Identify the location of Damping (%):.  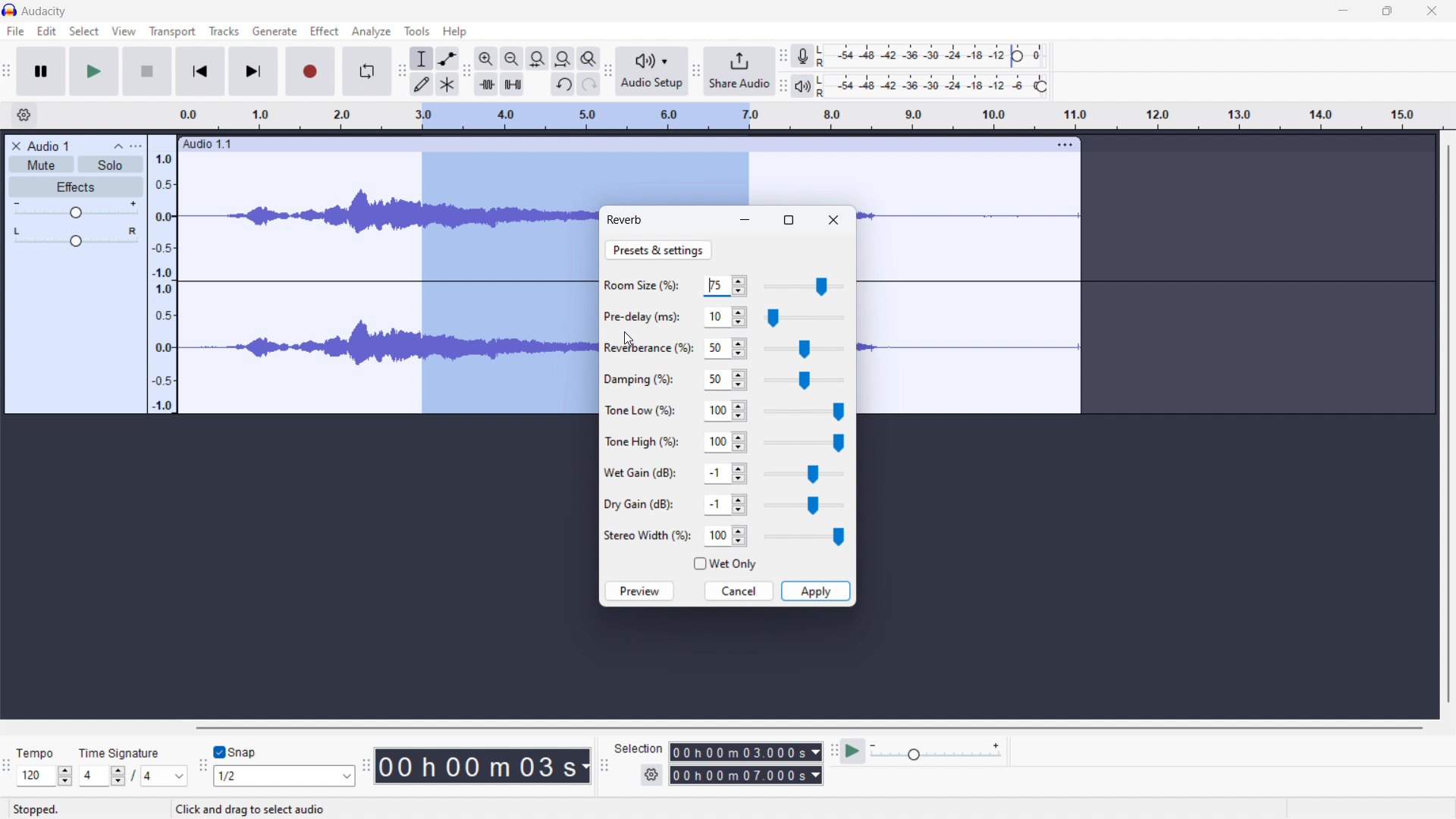
(644, 378).